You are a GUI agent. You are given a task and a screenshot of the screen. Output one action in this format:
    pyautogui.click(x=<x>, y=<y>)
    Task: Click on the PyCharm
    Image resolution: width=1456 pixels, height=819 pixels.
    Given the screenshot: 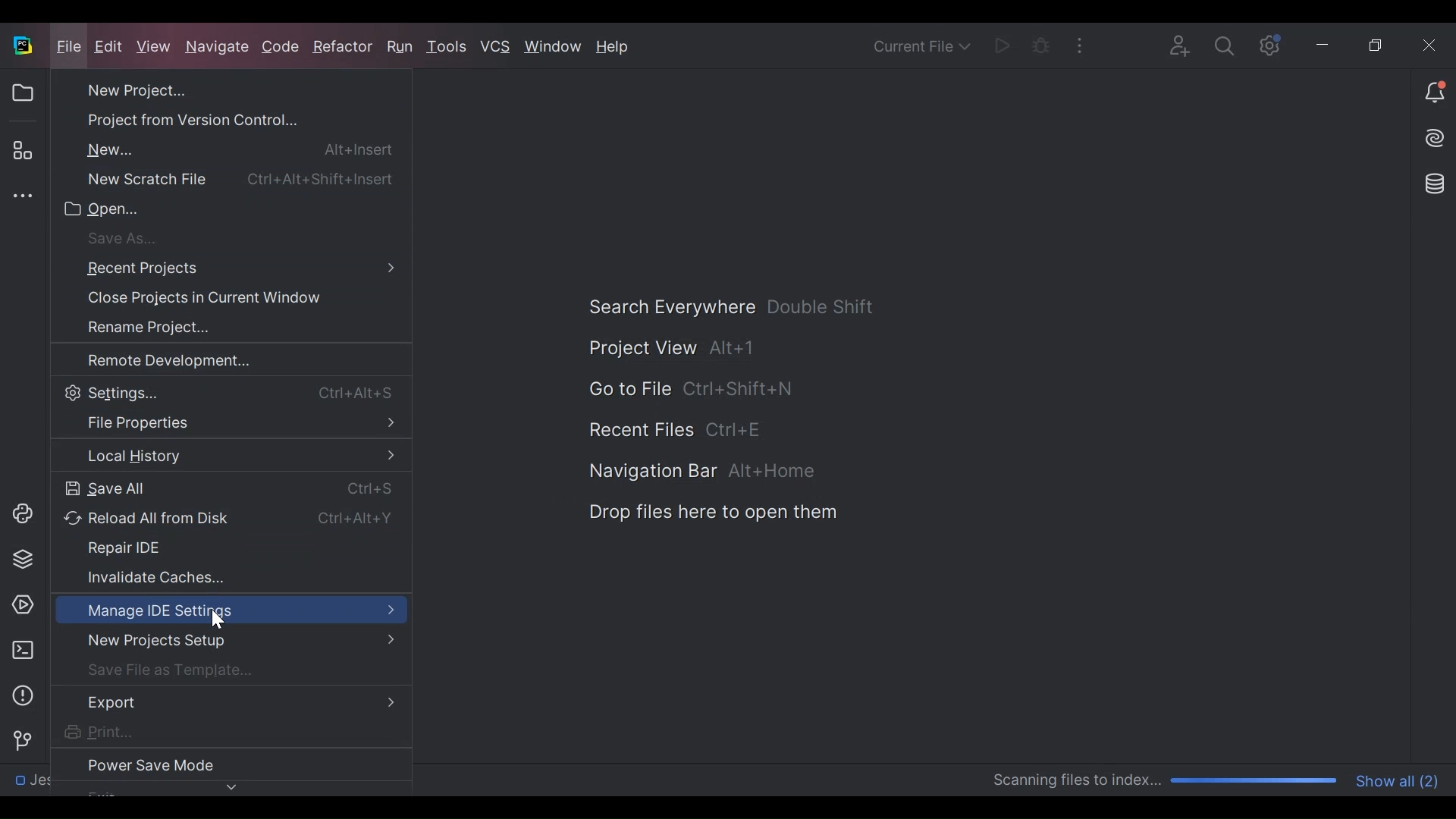 What is the action you would take?
    pyautogui.click(x=22, y=45)
    